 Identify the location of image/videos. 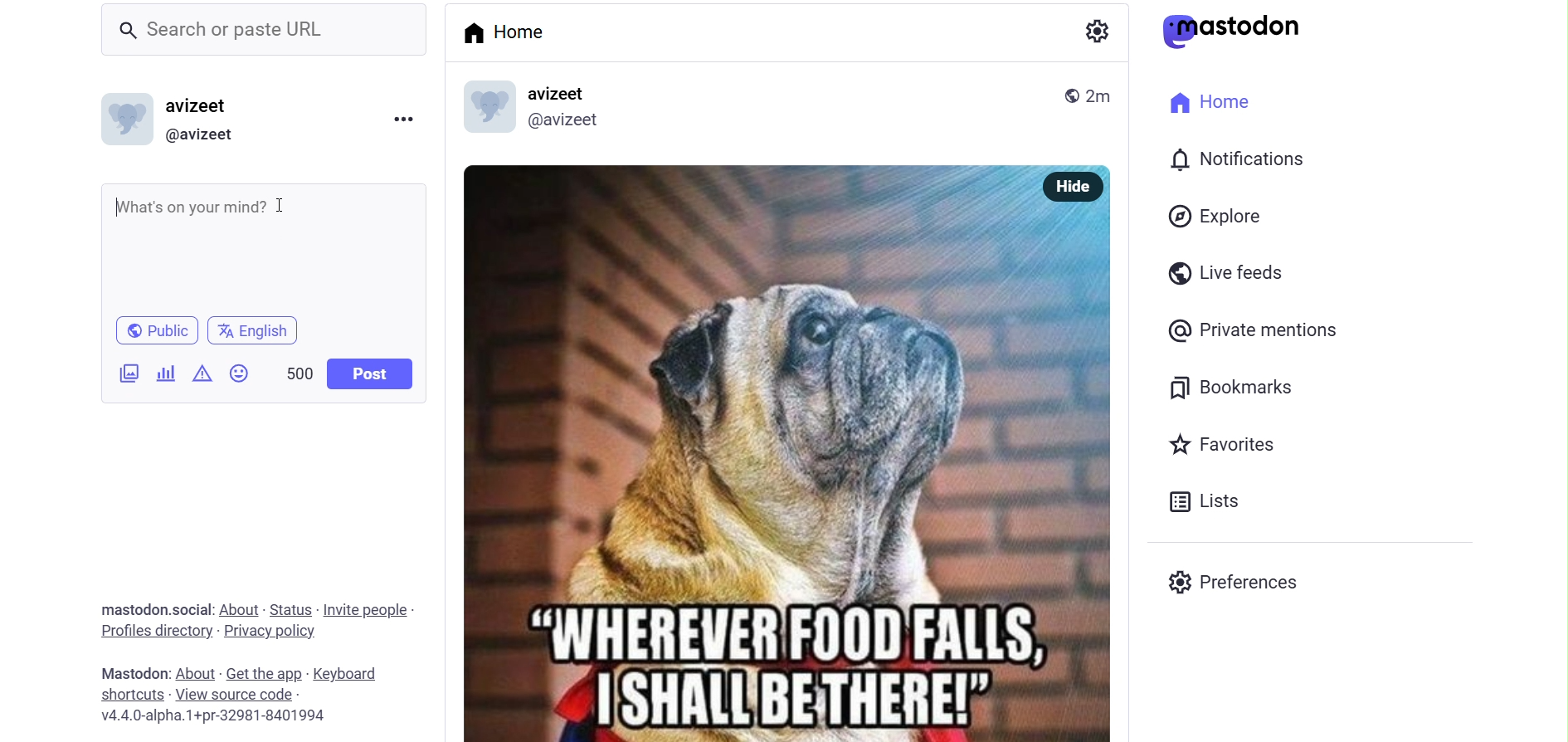
(126, 373).